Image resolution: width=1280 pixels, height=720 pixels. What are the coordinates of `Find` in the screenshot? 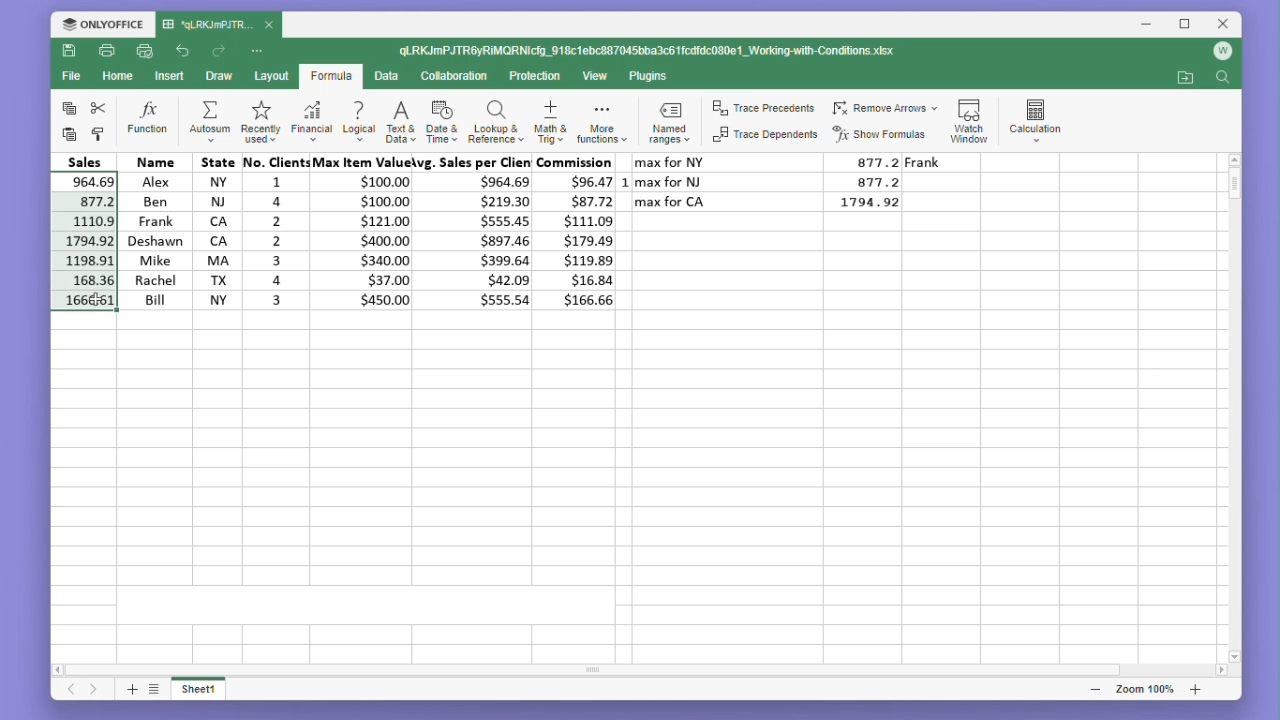 It's located at (1222, 80).